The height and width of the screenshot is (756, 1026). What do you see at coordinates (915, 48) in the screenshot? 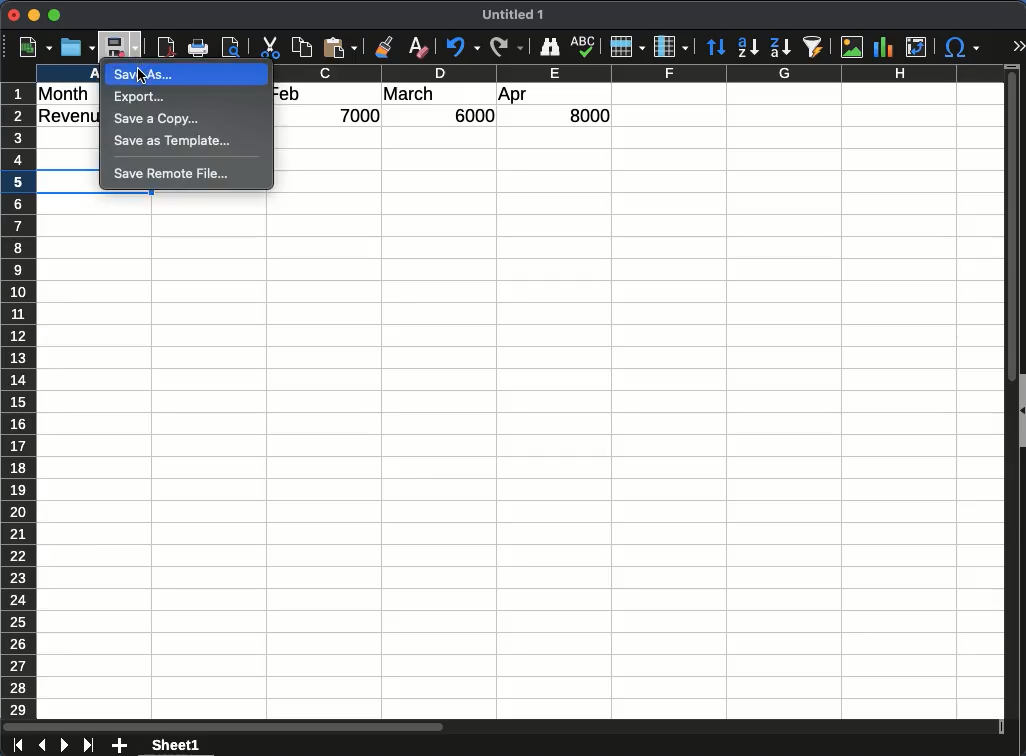
I see `pivot table` at bounding box center [915, 48].